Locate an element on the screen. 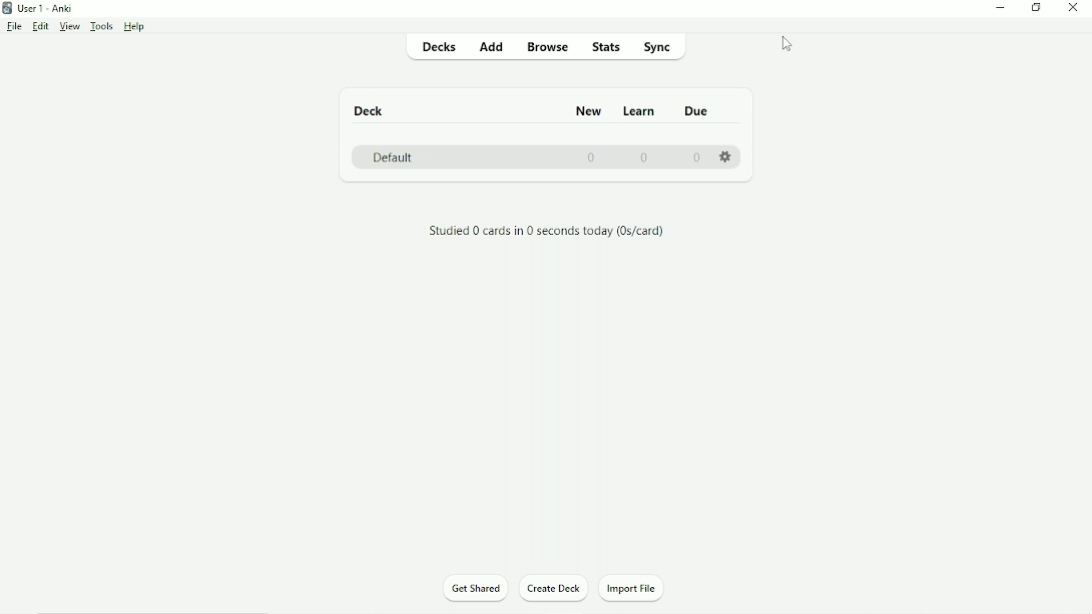  Studied 0 cards in 0 seconds today. is located at coordinates (546, 232).